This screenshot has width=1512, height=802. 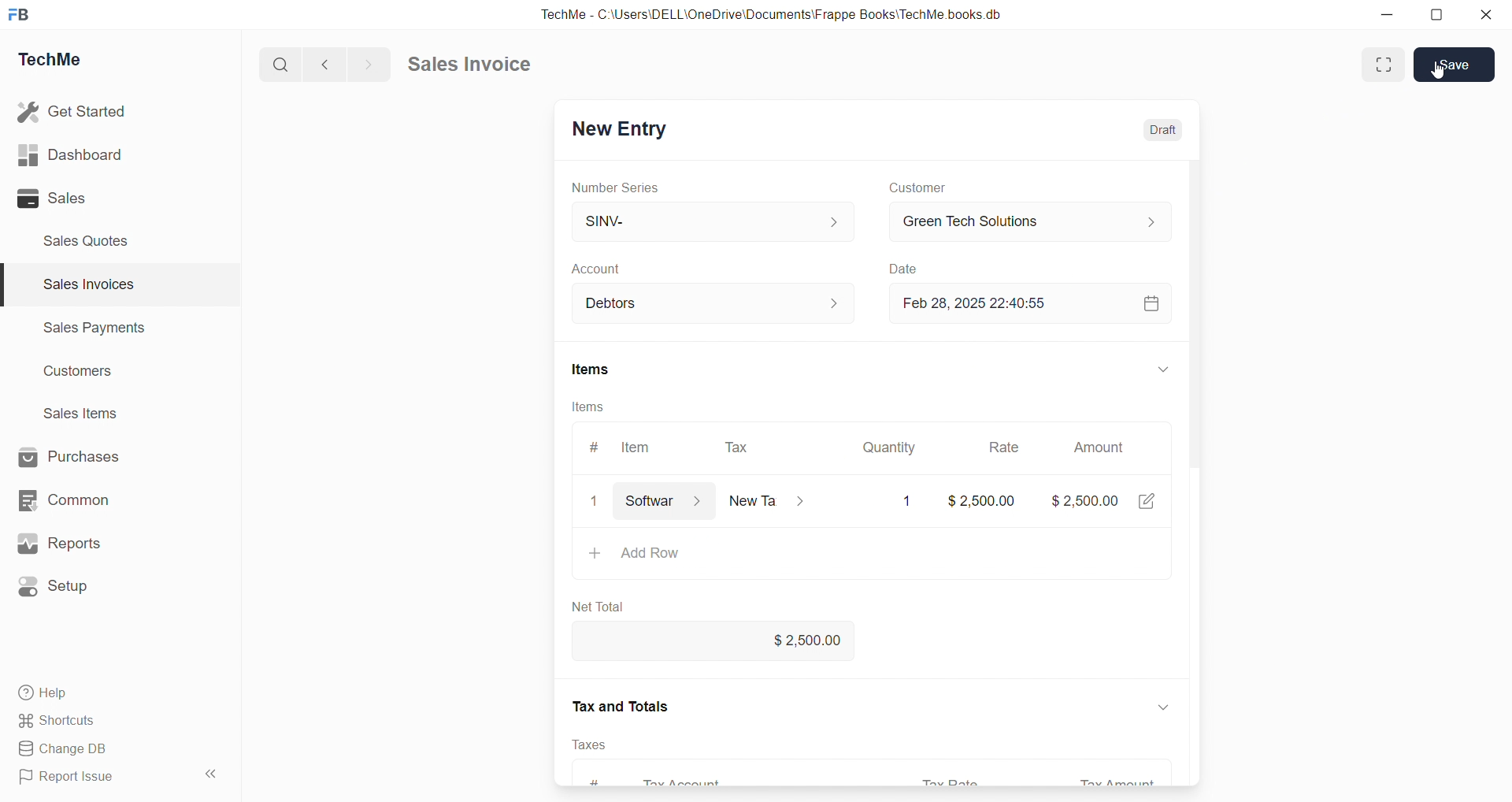 What do you see at coordinates (366, 65) in the screenshot?
I see `forward` at bounding box center [366, 65].